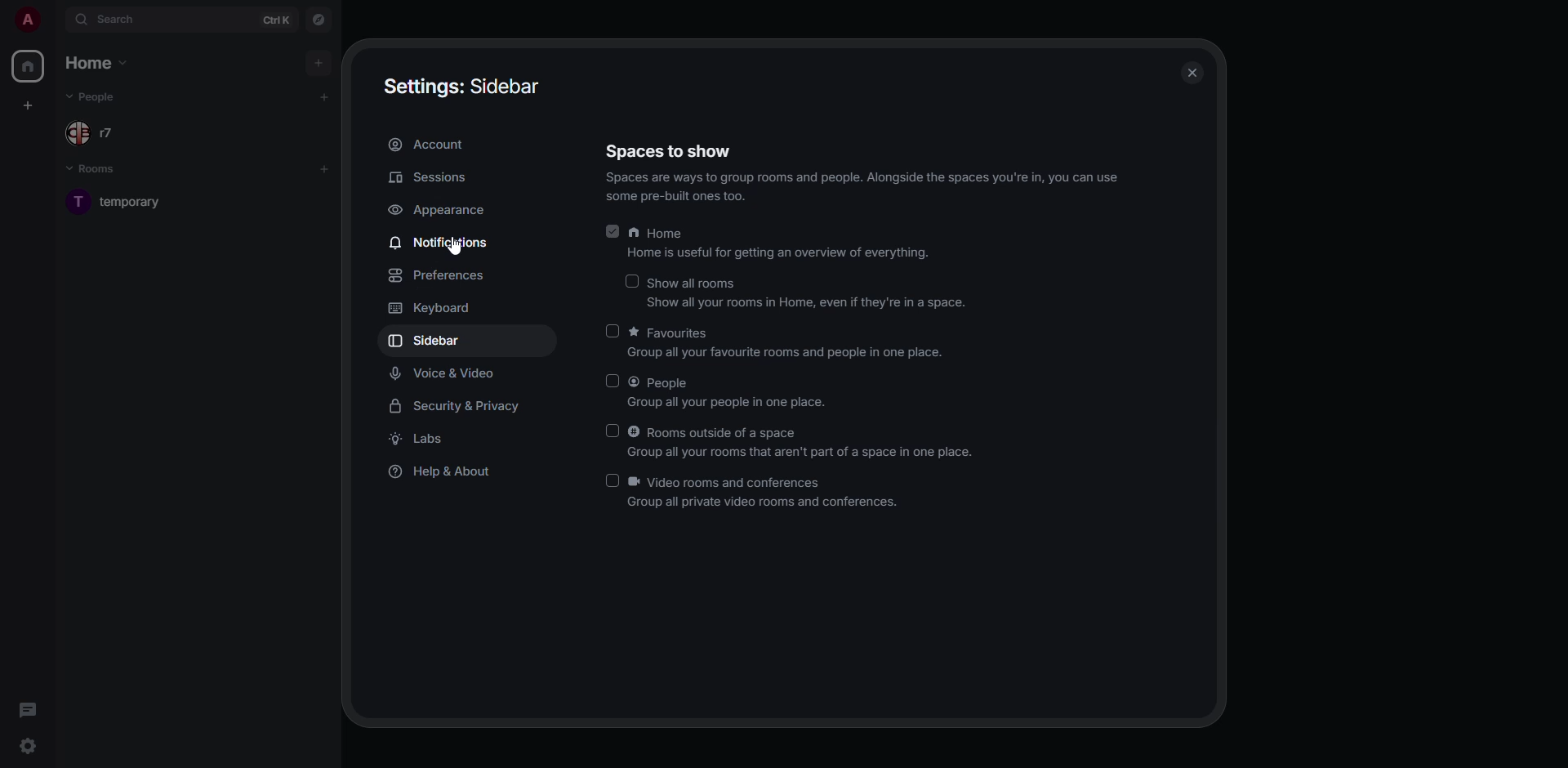 This screenshot has height=768, width=1568. Describe the element at coordinates (326, 165) in the screenshot. I see `add` at that location.